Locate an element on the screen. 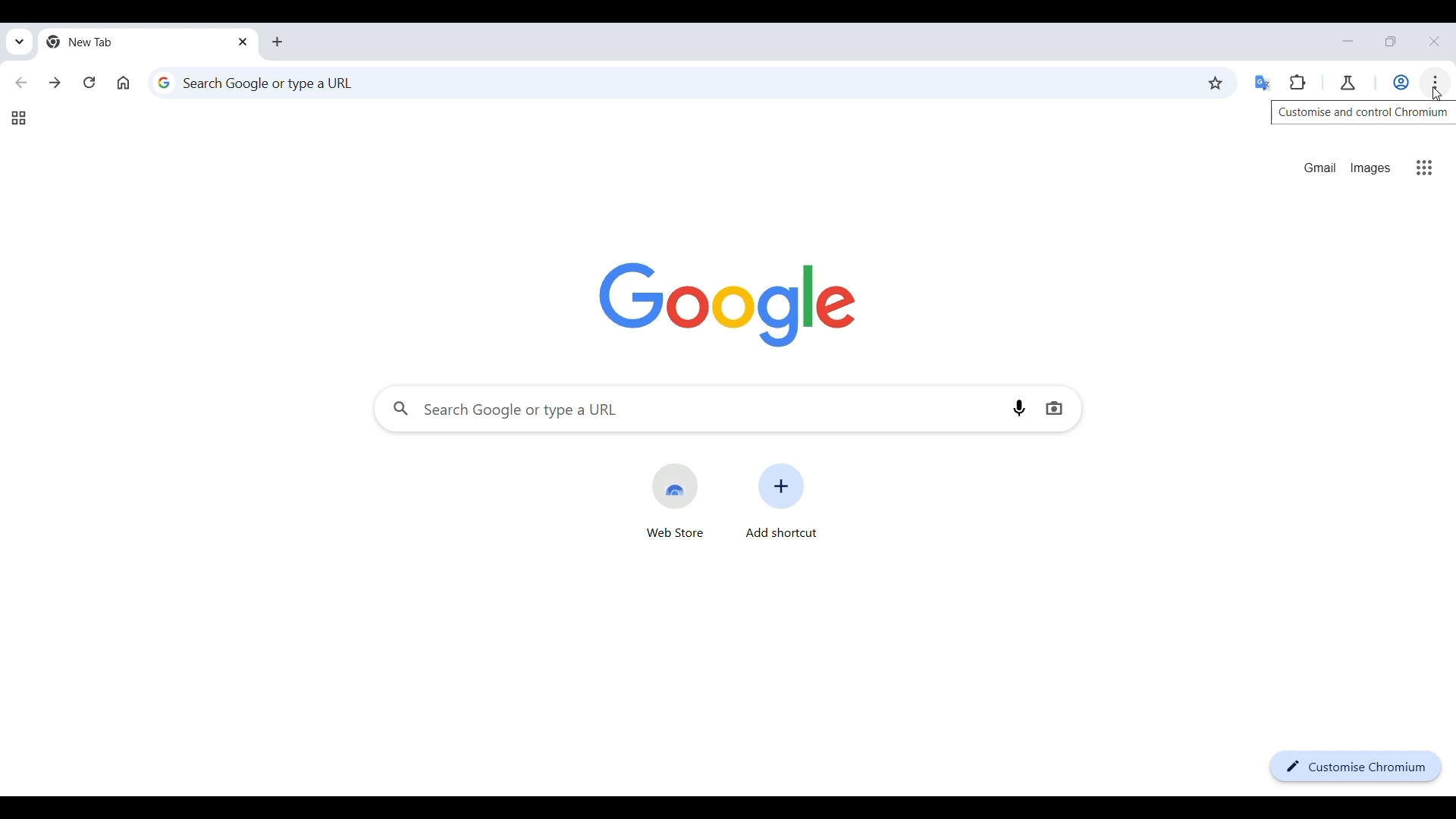 Image resolution: width=1456 pixels, height=819 pixels. Go forward is located at coordinates (55, 83).